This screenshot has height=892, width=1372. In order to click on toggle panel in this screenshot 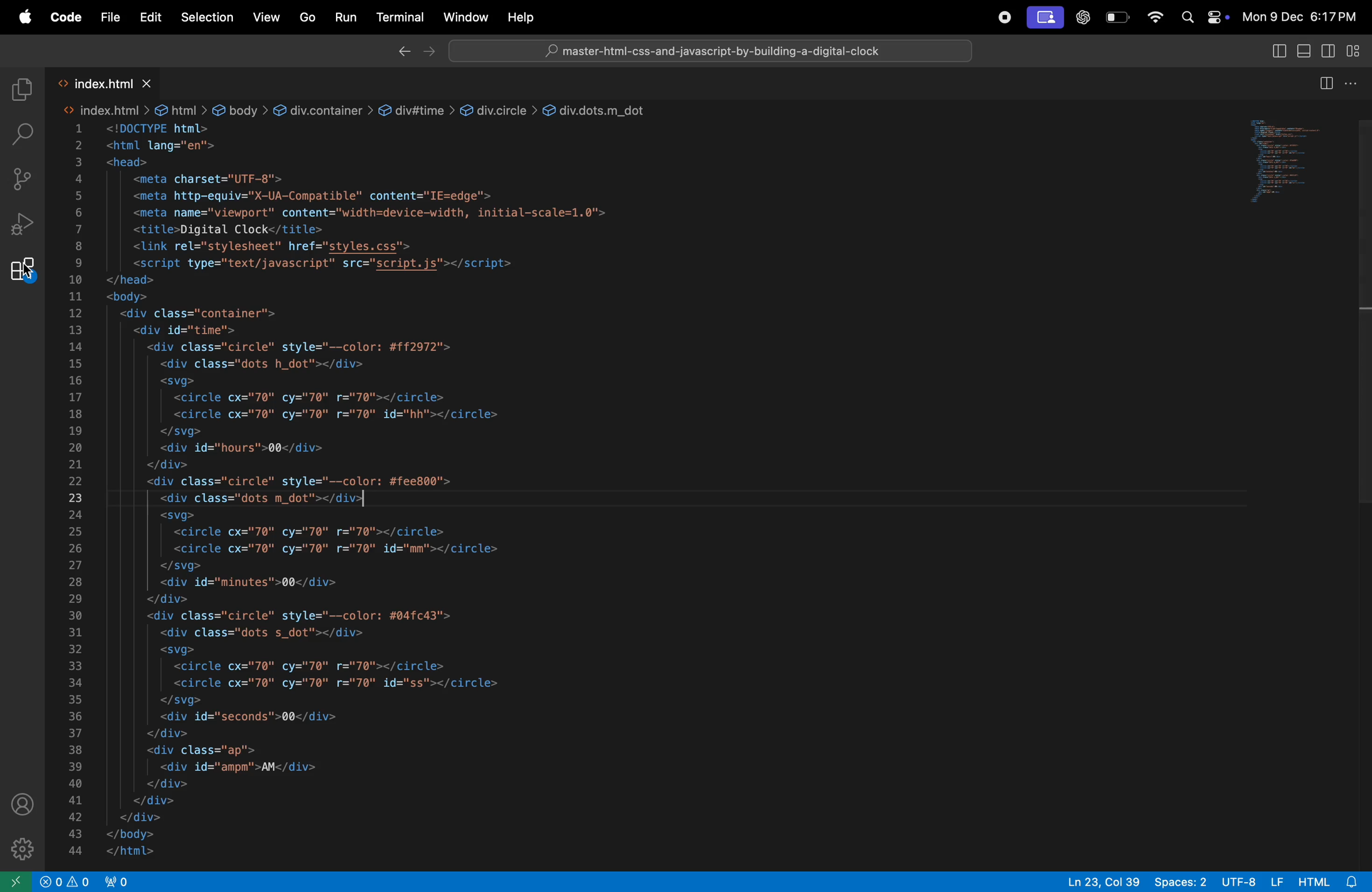, I will do `click(1301, 50)`.